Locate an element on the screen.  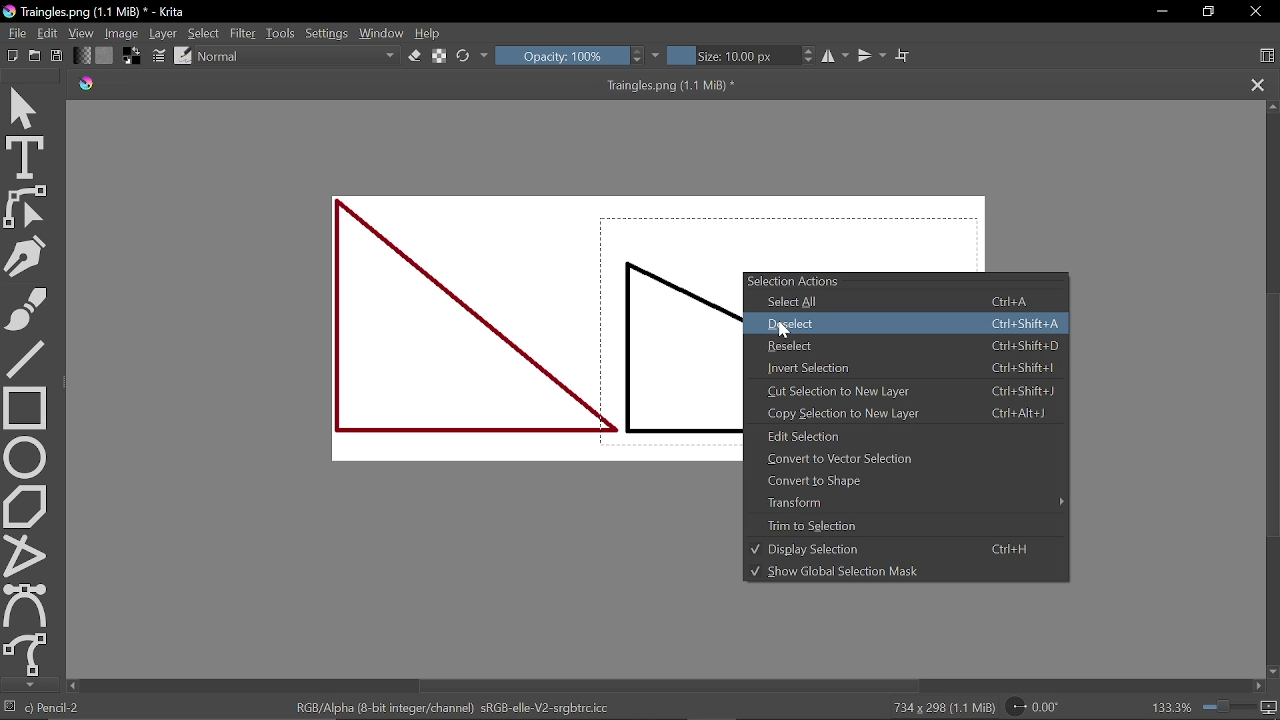
Deselect is located at coordinates (905, 324).